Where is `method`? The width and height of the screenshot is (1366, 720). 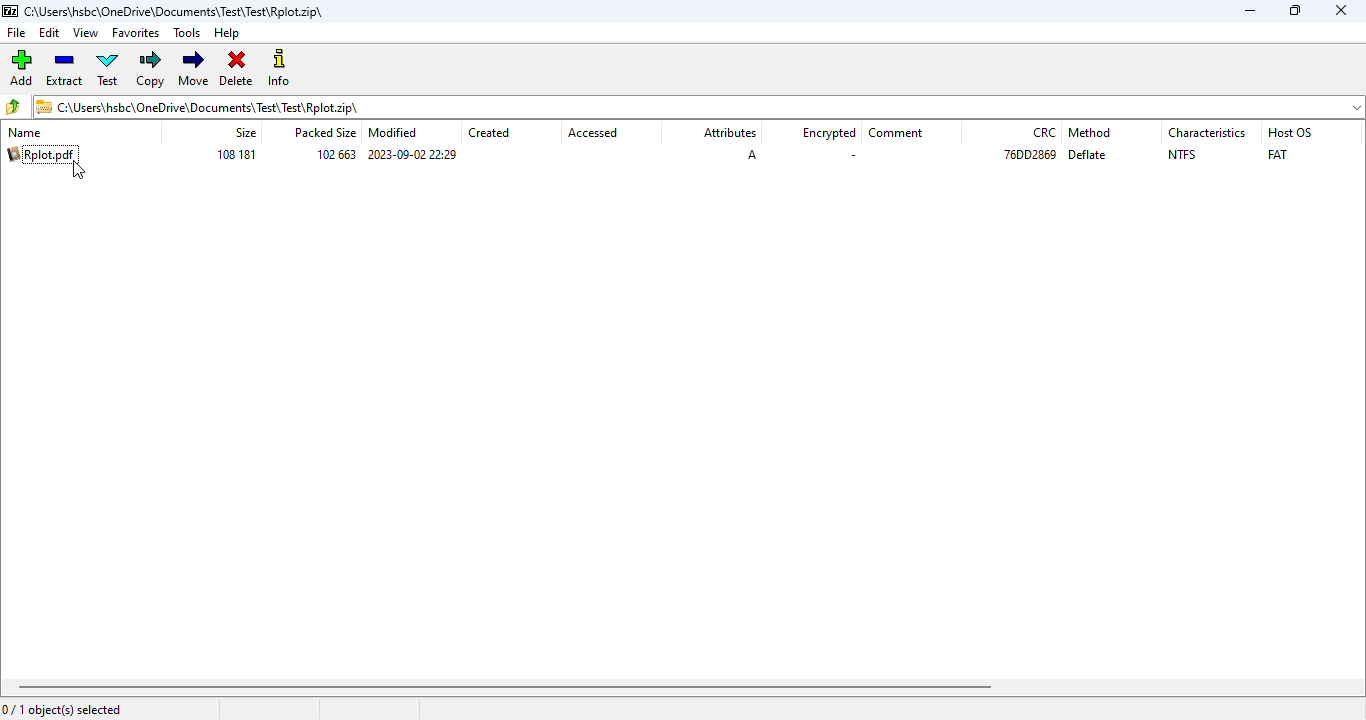
method is located at coordinates (1089, 132).